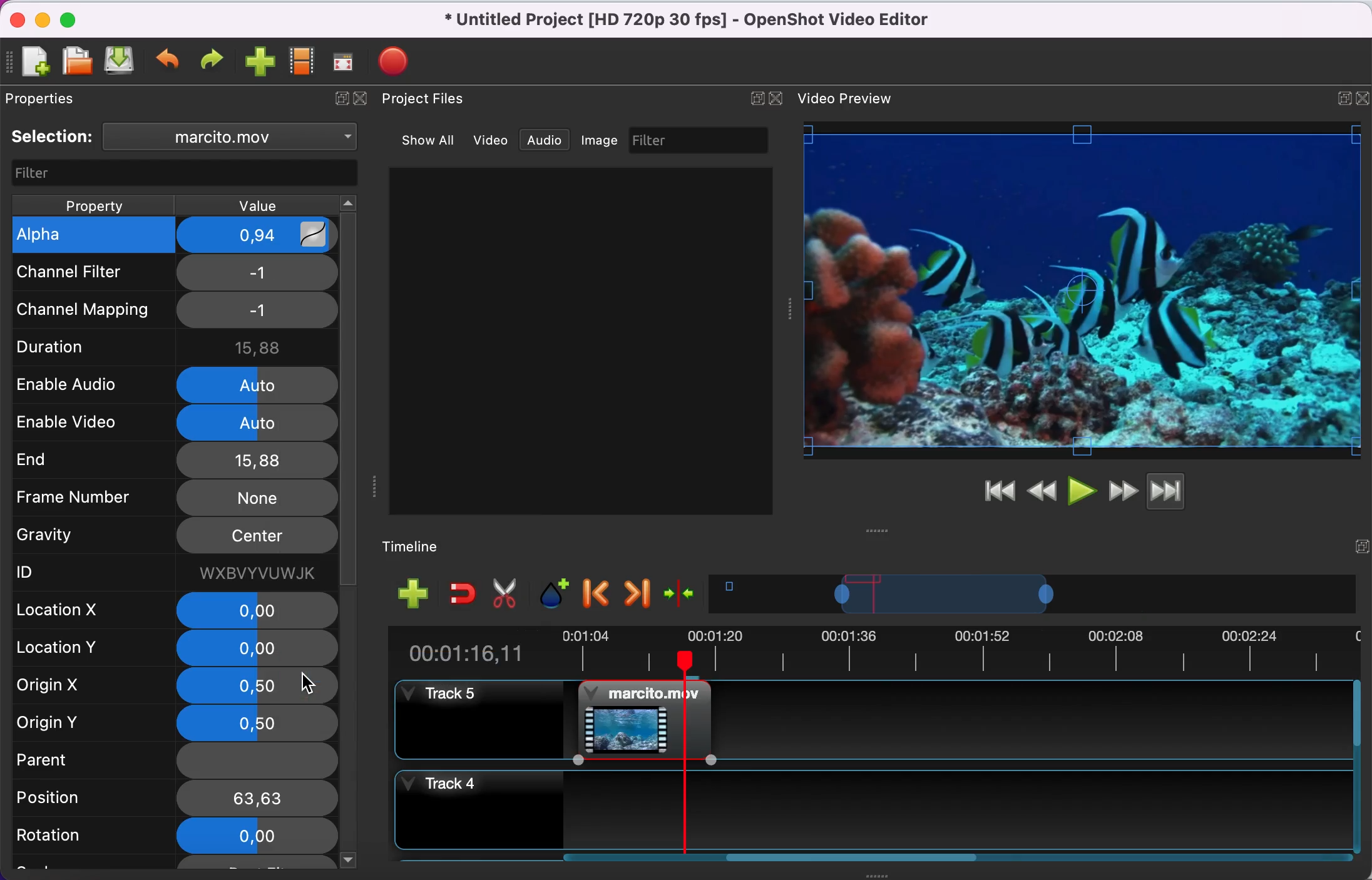  Describe the element at coordinates (71, 423) in the screenshot. I see `Enable Video` at that location.